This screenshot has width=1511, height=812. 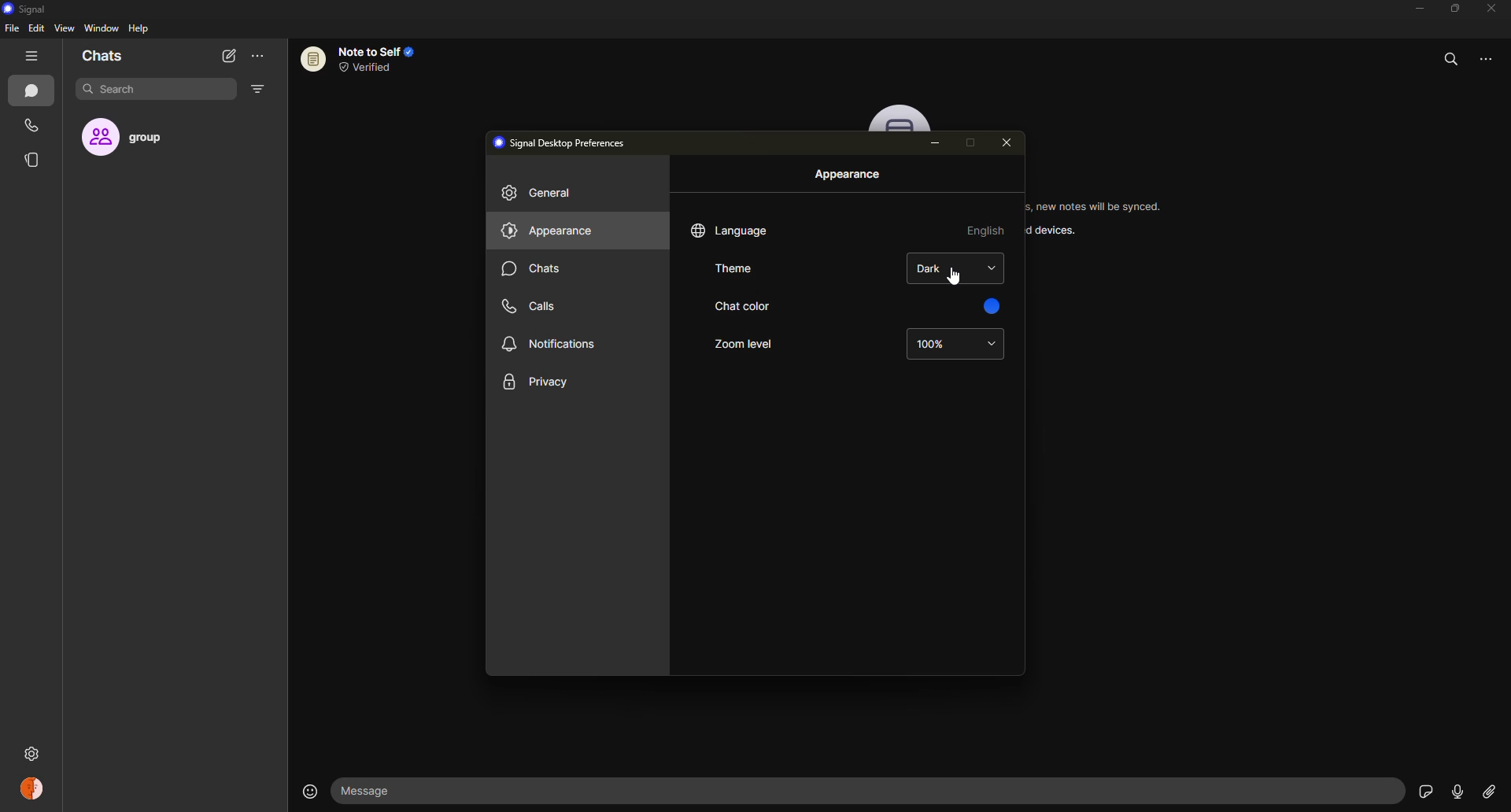 What do you see at coordinates (1494, 9) in the screenshot?
I see `close` at bounding box center [1494, 9].